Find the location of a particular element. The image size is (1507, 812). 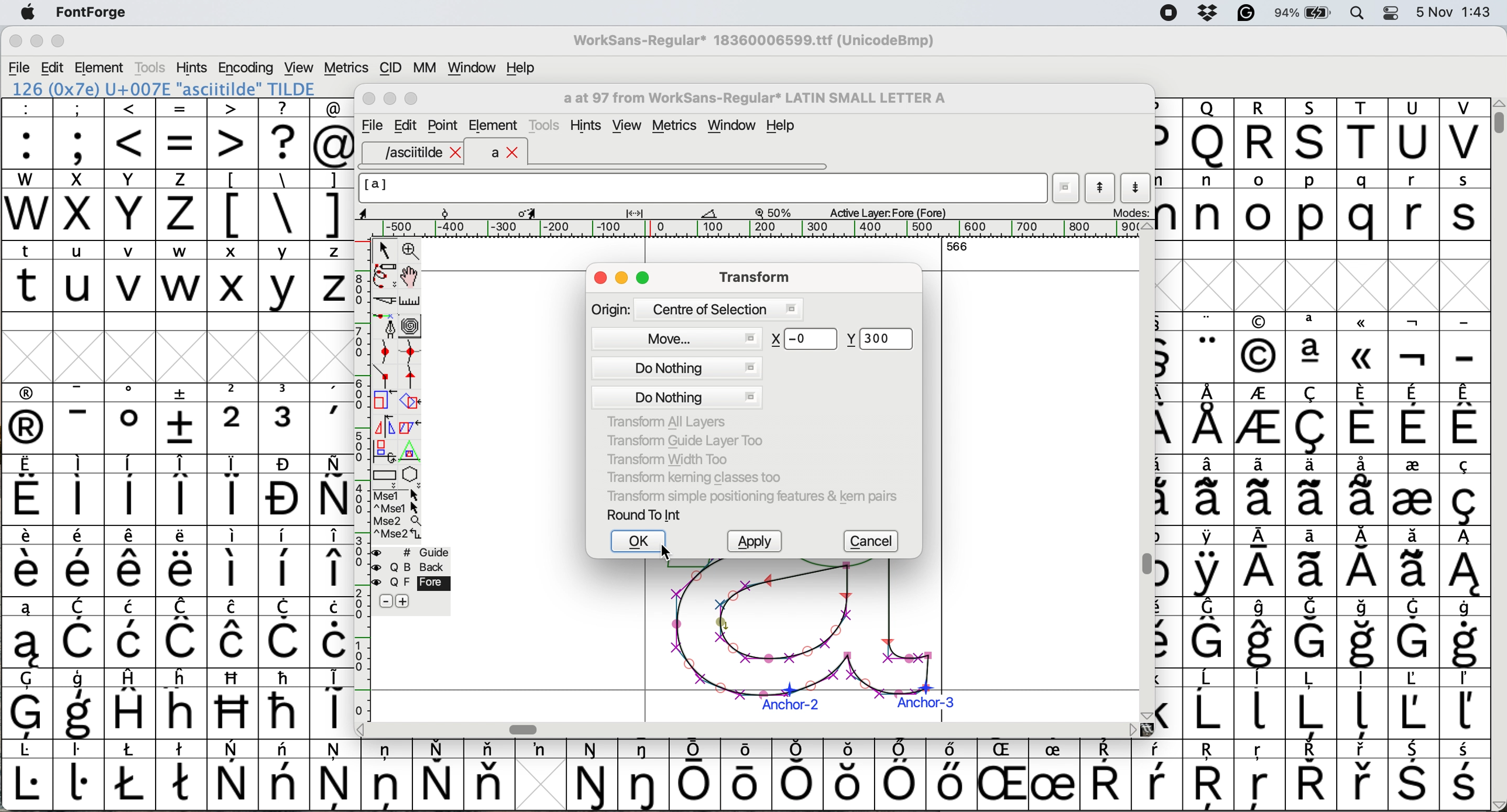

element is located at coordinates (493, 125).